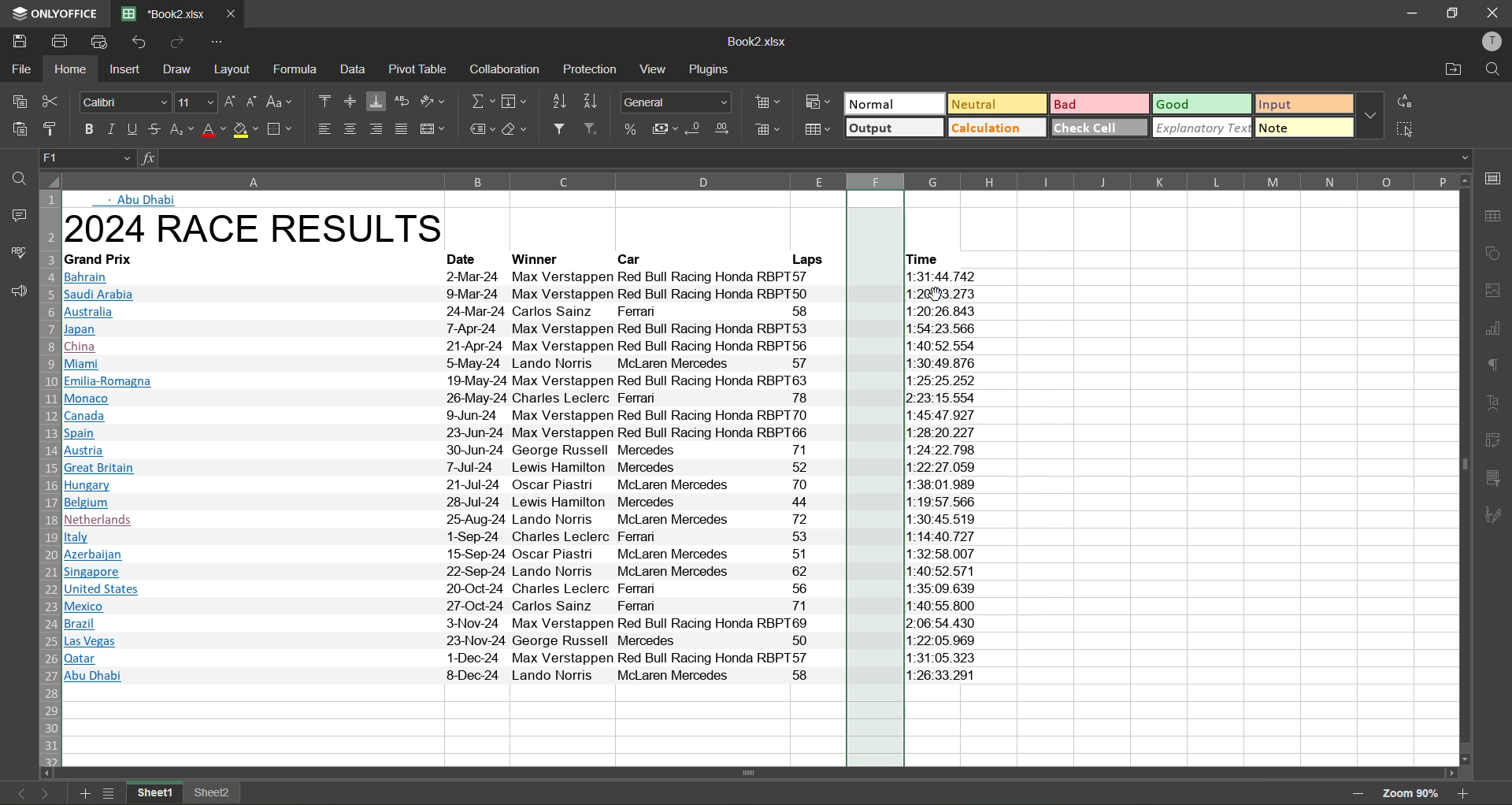  What do you see at coordinates (1304, 128) in the screenshot?
I see `note` at bounding box center [1304, 128].